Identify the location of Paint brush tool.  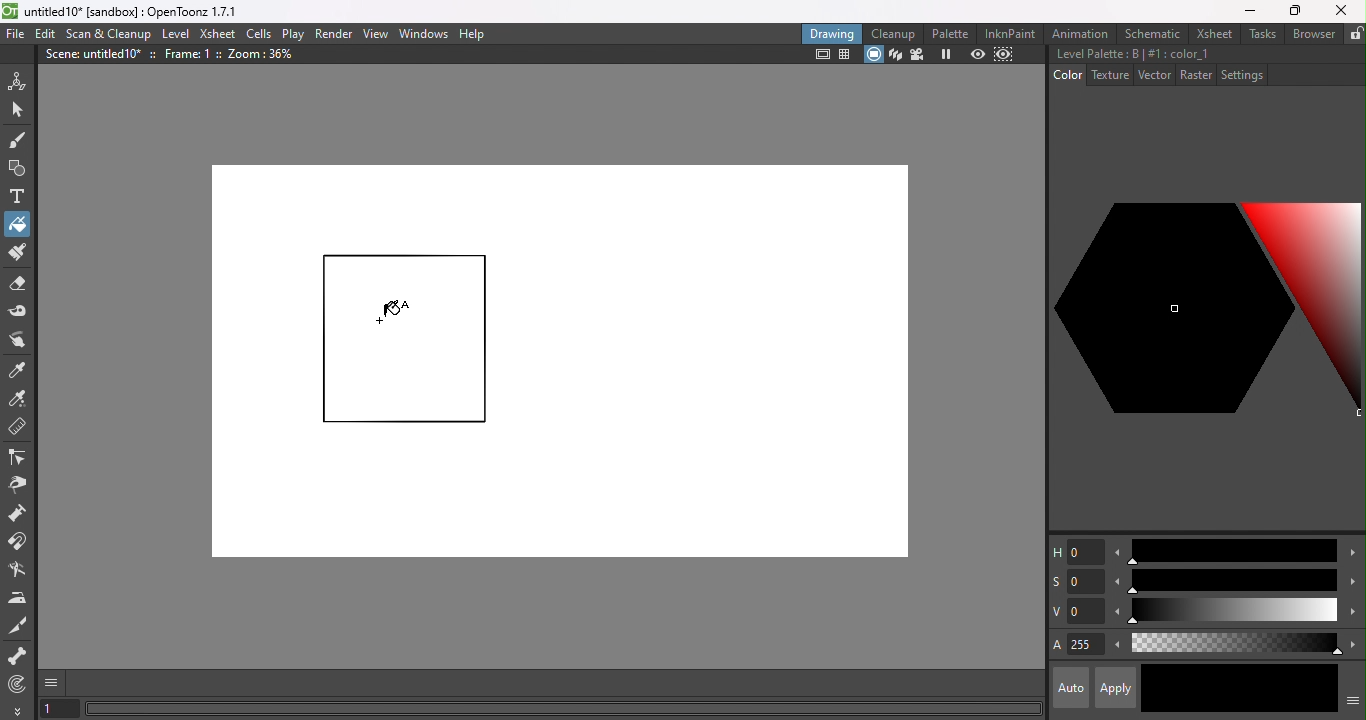
(16, 254).